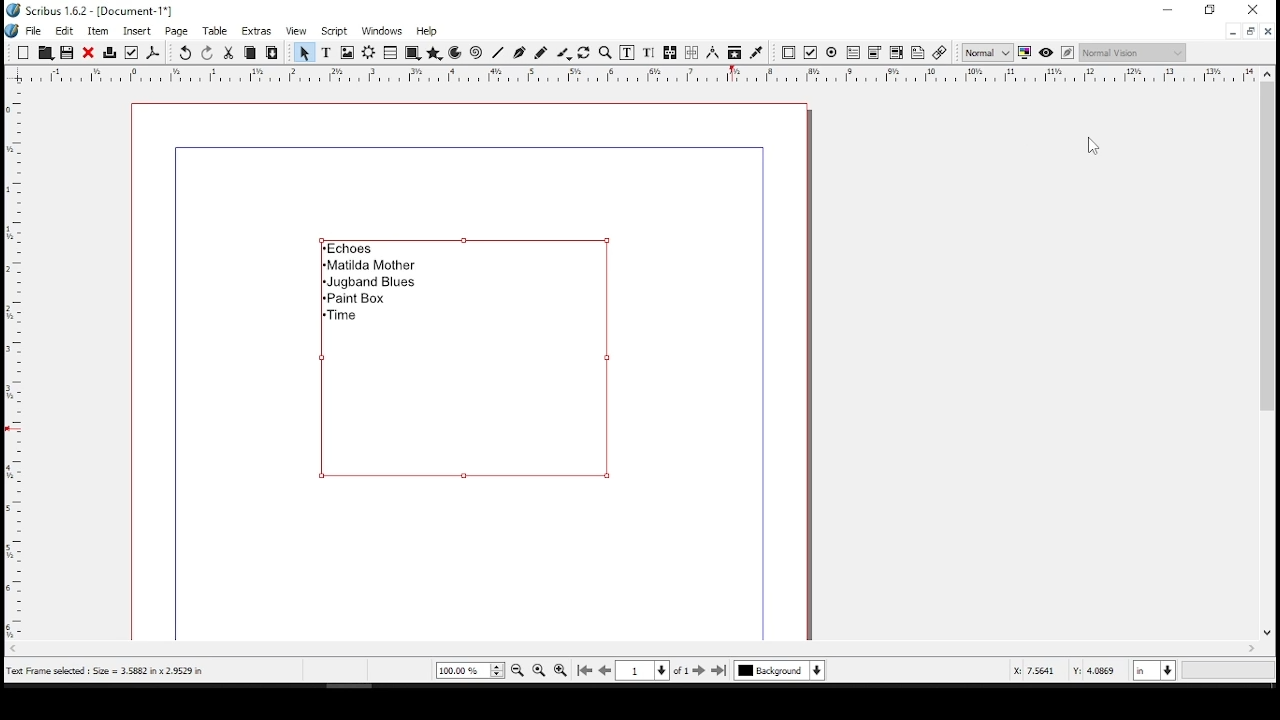  Describe the element at coordinates (1070, 53) in the screenshot. I see `edit in preview mode` at that location.